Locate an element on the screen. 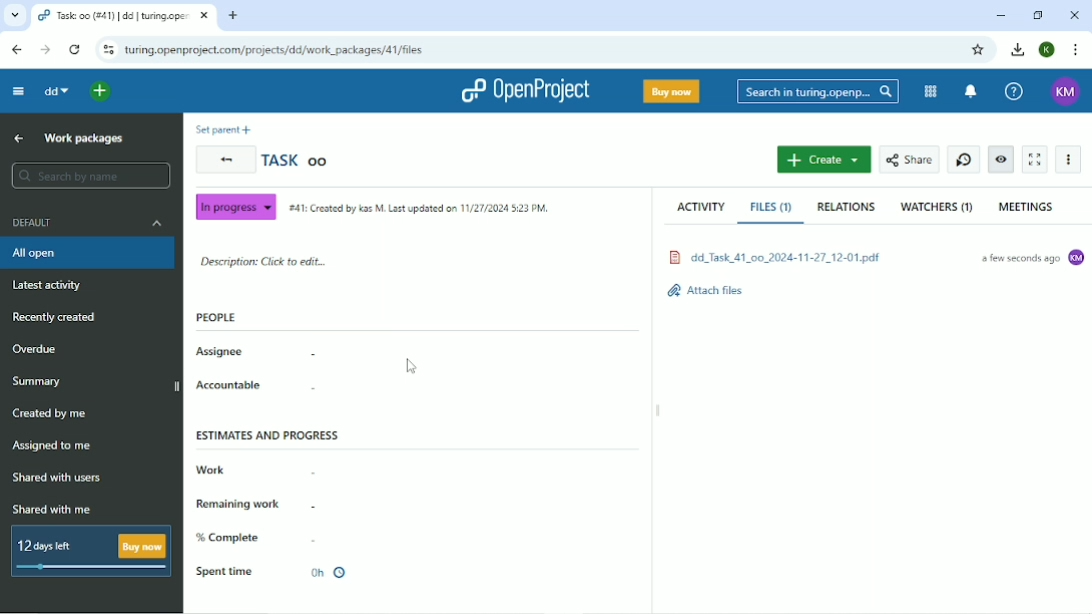  Customize and control google chrome is located at coordinates (1078, 50).